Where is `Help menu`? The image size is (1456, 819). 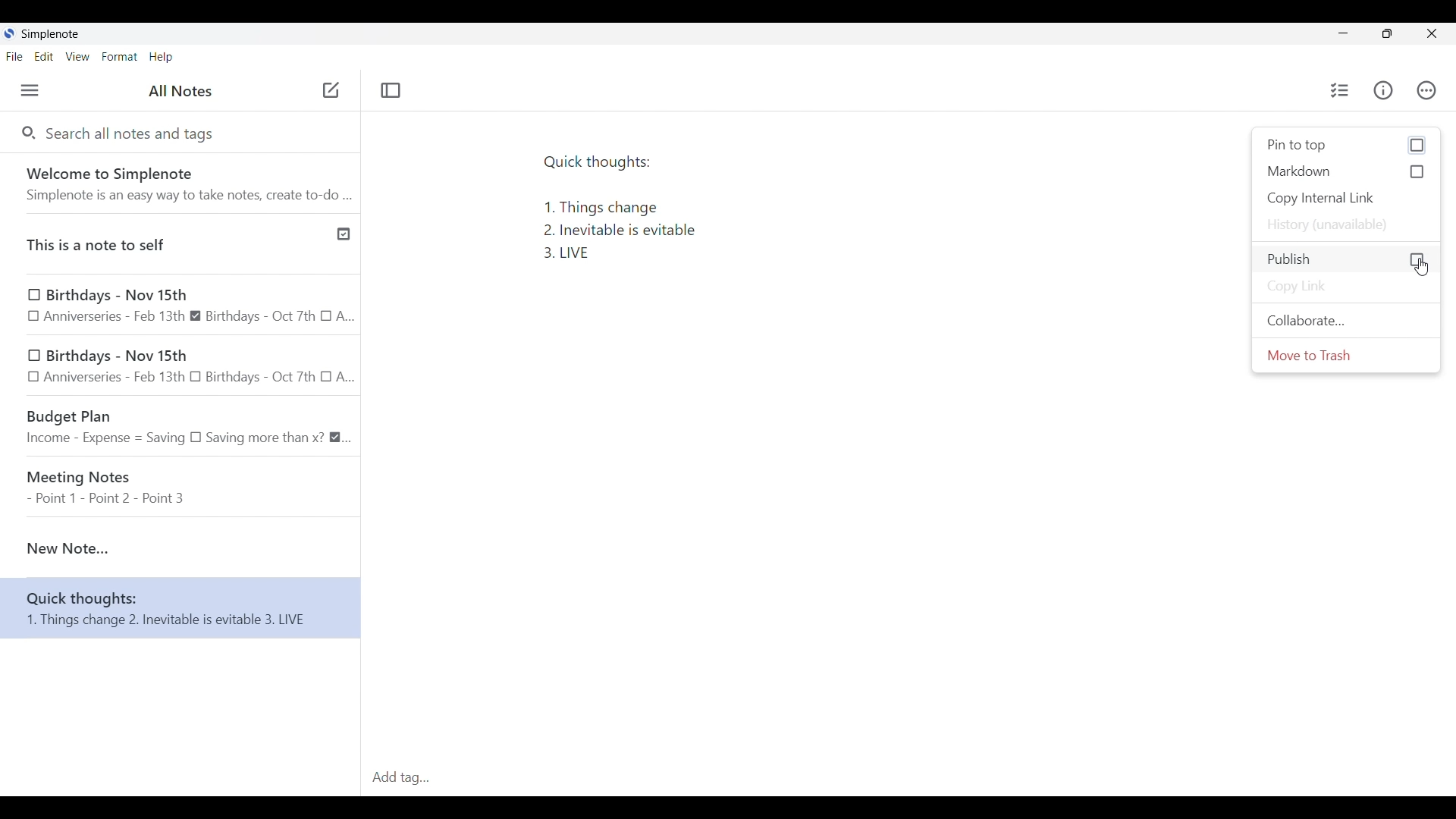
Help menu is located at coordinates (162, 58).